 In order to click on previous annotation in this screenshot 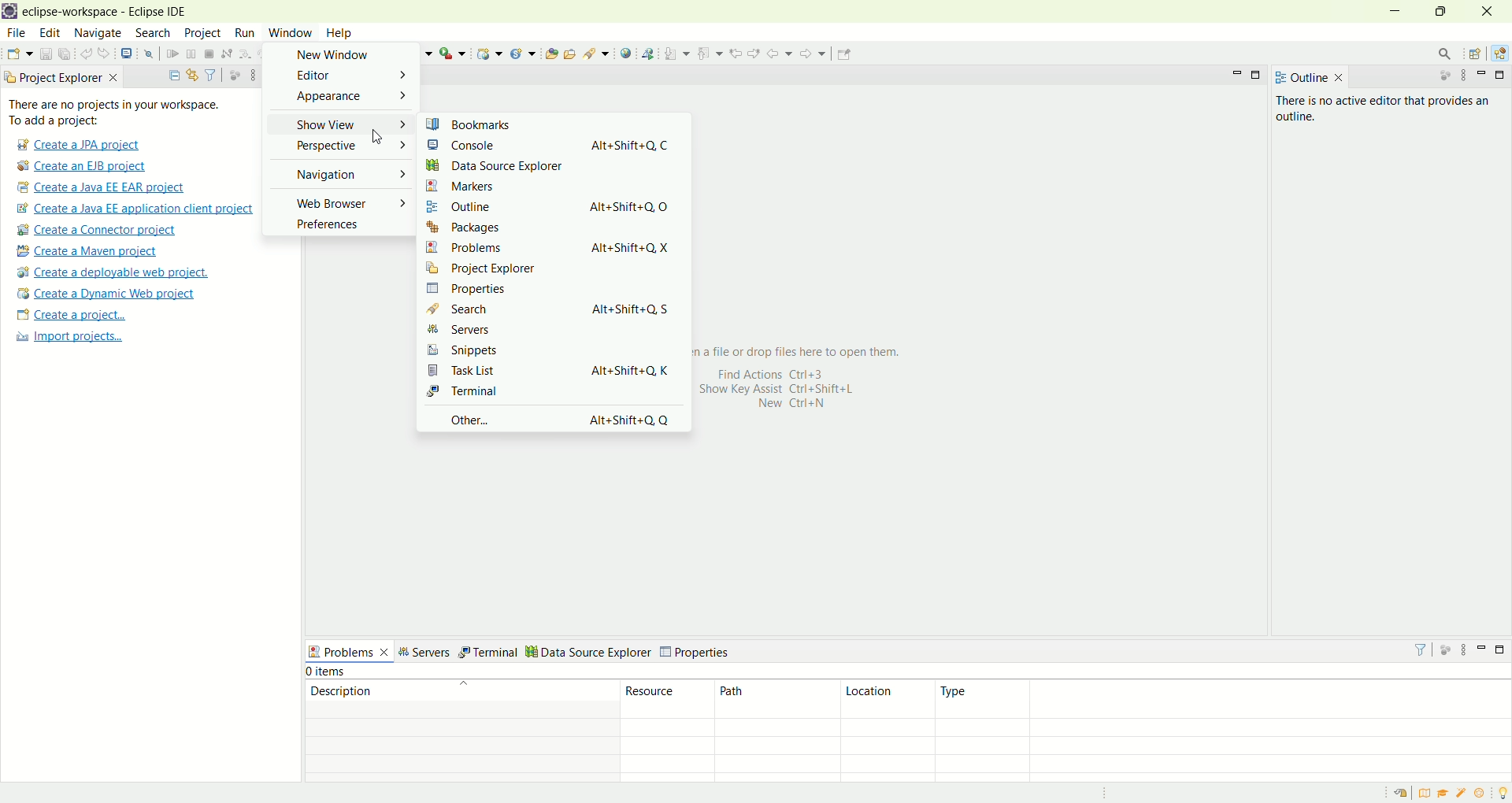, I will do `click(708, 52)`.